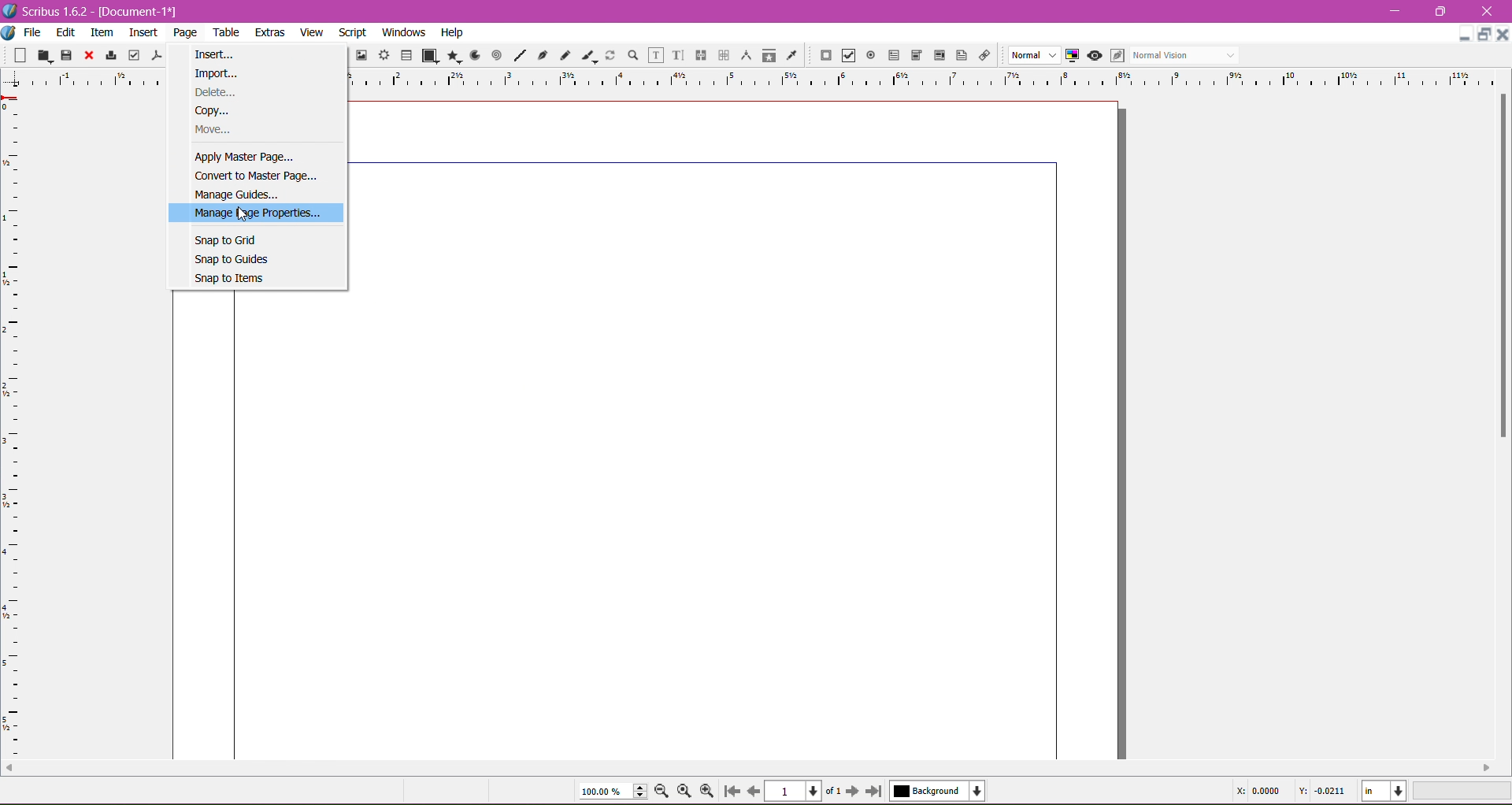 The height and width of the screenshot is (805, 1512). Describe the element at coordinates (935, 792) in the screenshot. I see `Select the current layer` at that location.